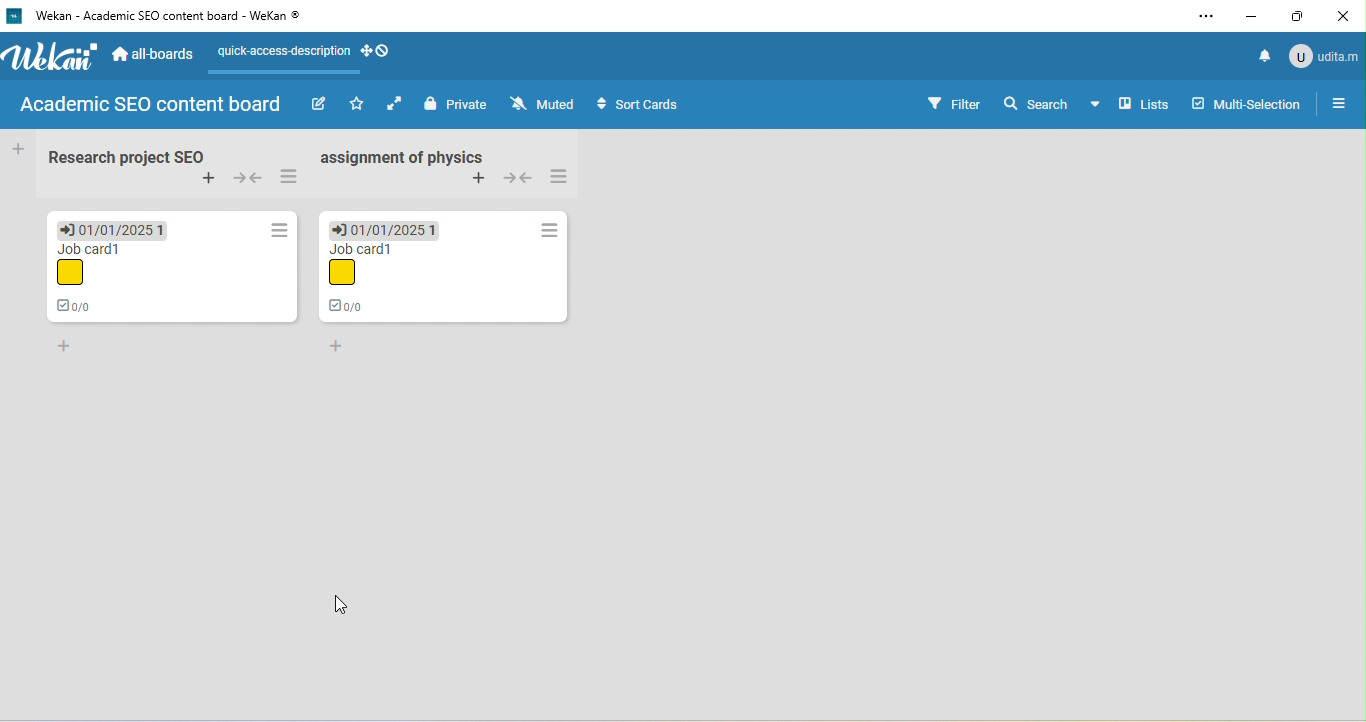 The image size is (1366, 722). What do you see at coordinates (152, 106) in the screenshot?
I see `academic sed content board` at bounding box center [152, 106].